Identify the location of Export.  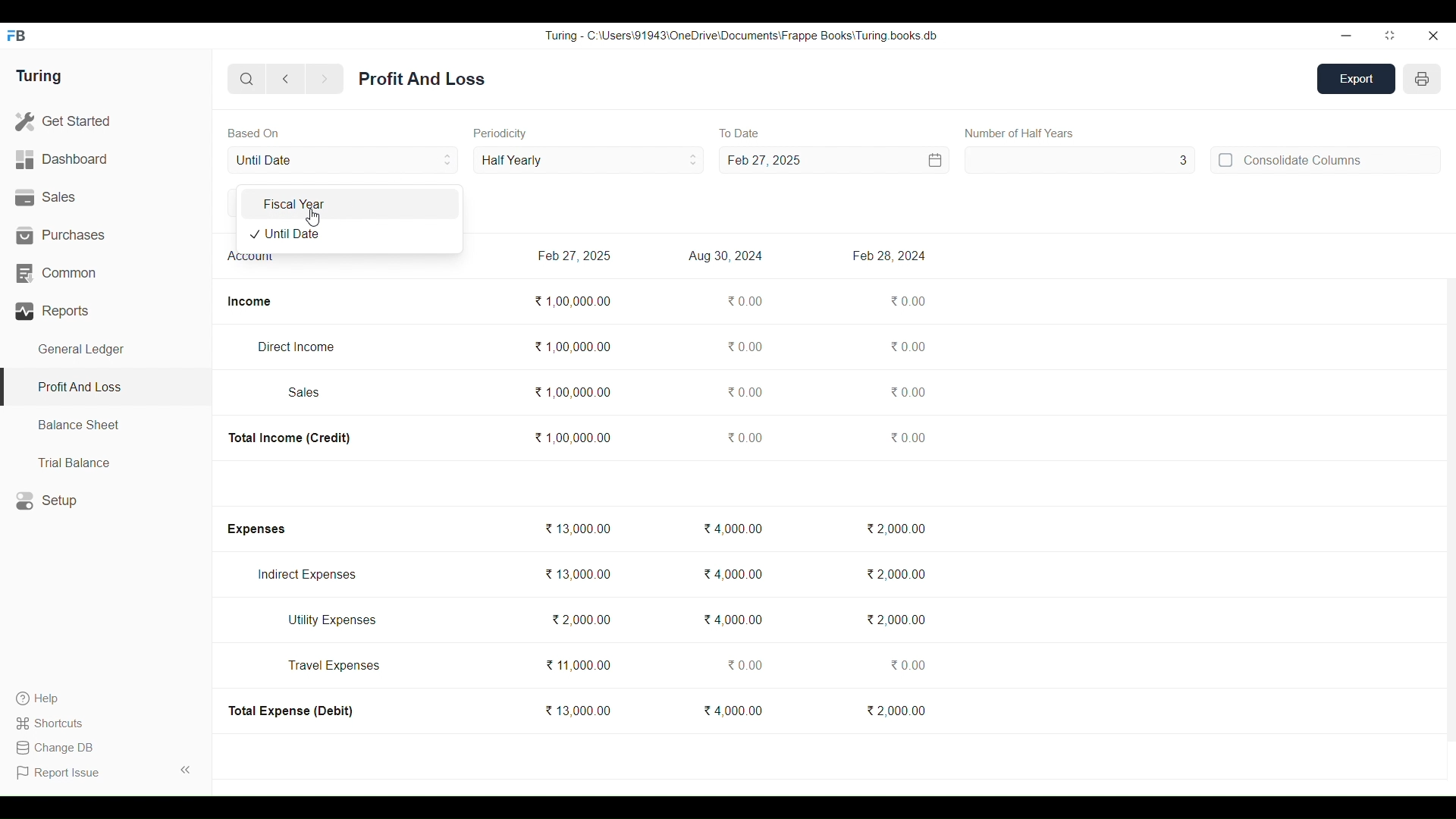
(1357, 79).